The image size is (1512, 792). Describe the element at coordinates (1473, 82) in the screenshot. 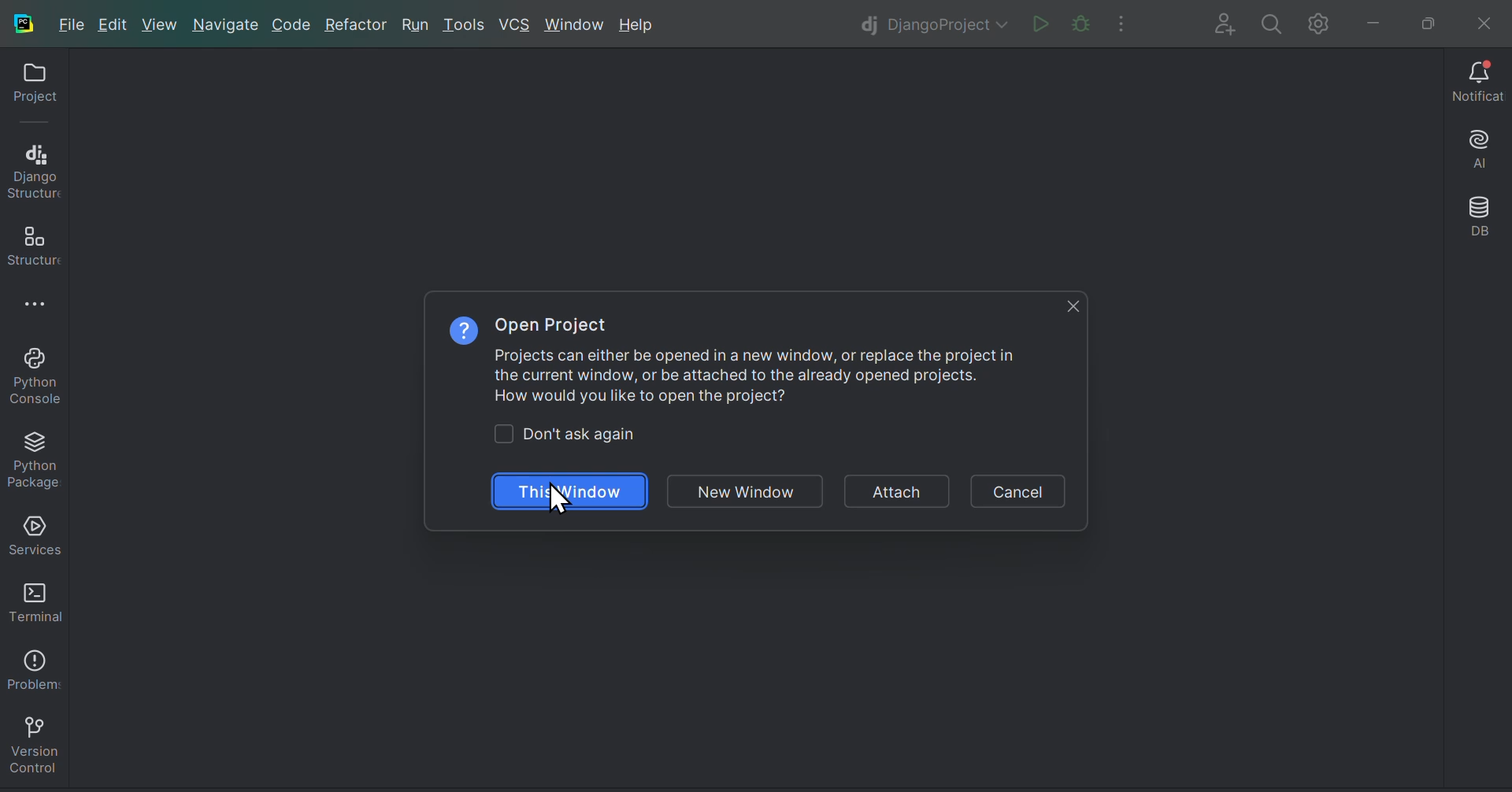

I see `Notifications` at that location.